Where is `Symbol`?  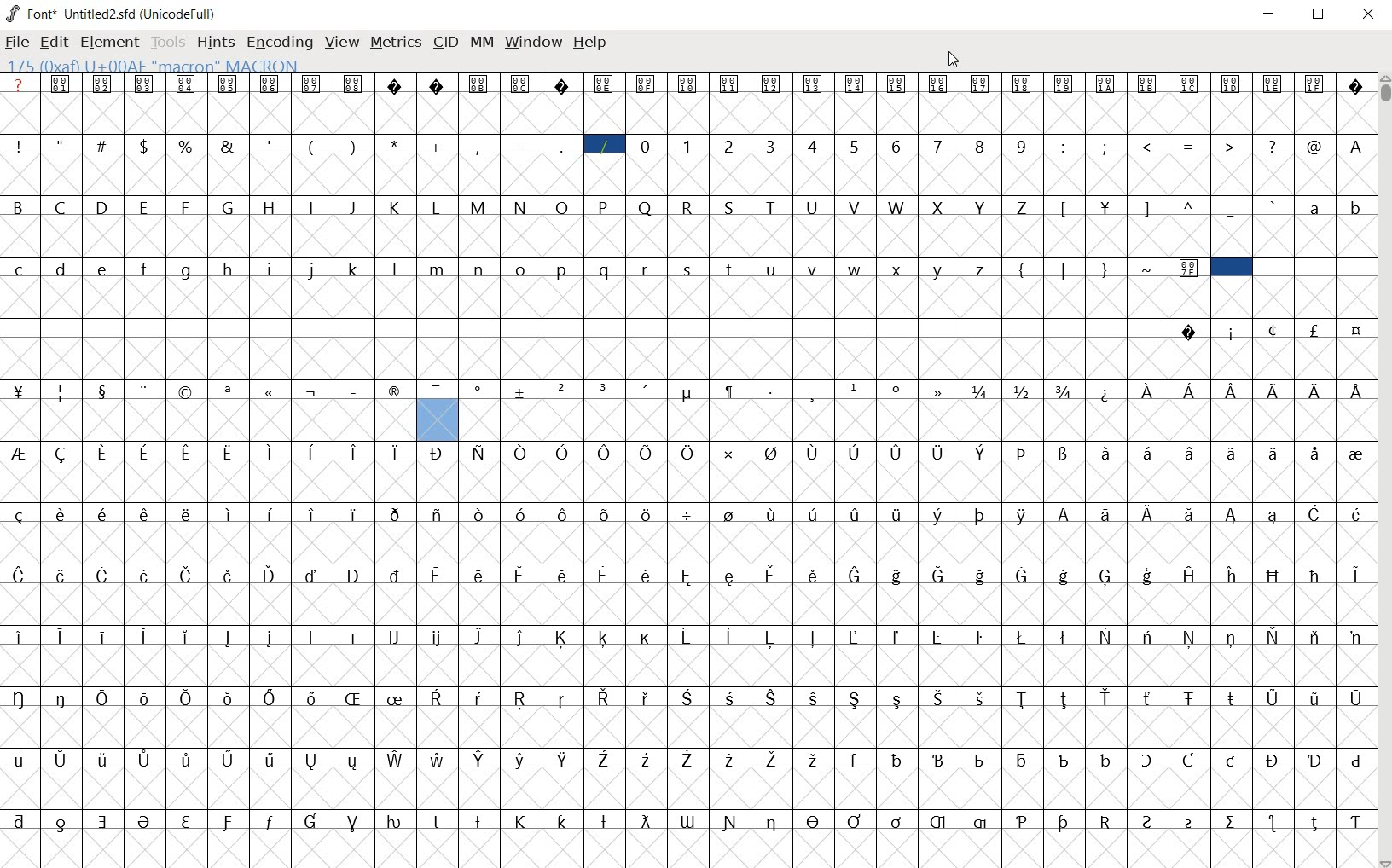
Symbol is located at coordinates (1315, 574).